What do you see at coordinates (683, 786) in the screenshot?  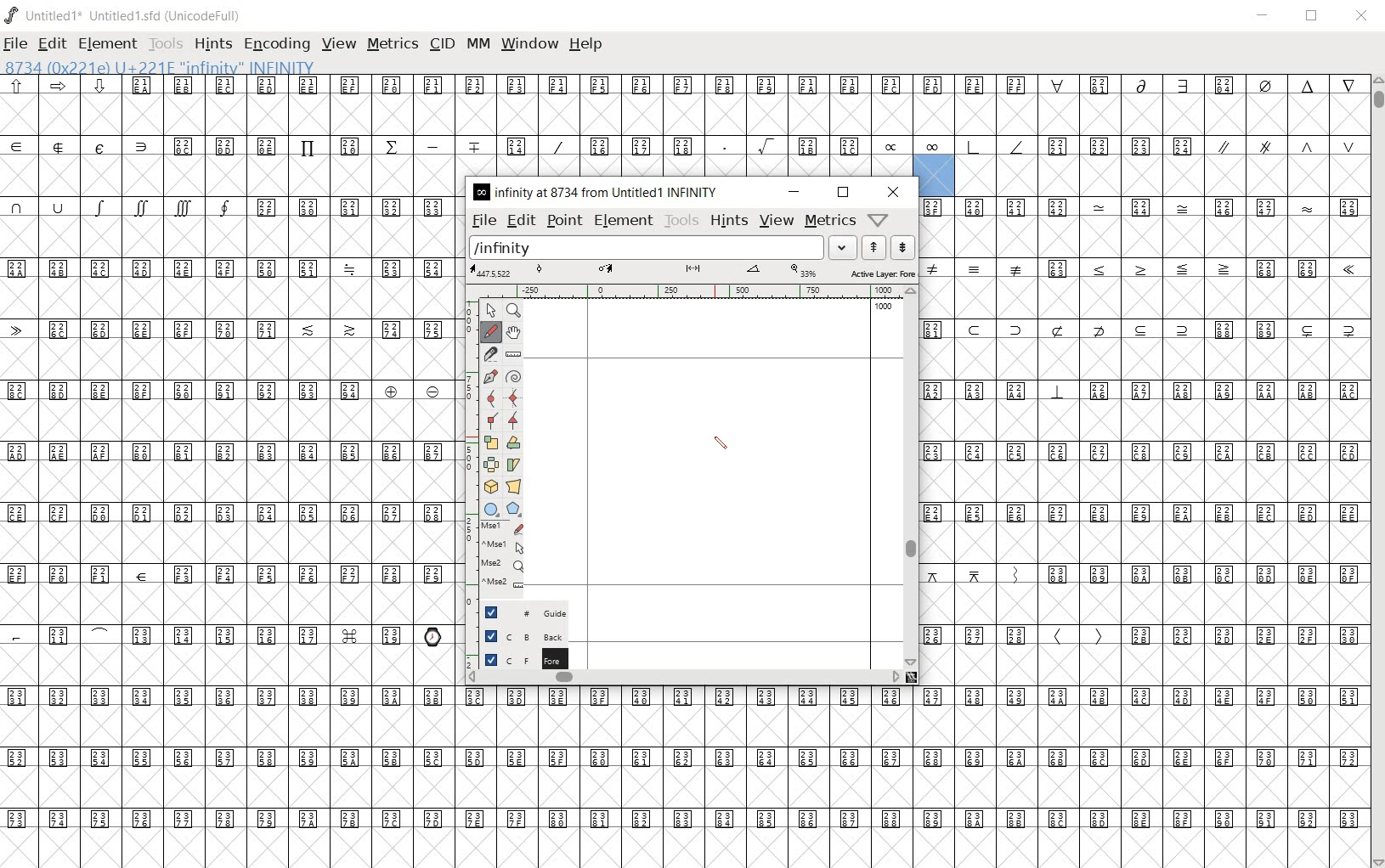 I see `empty glyph slots` at bounding box center [683, 786].